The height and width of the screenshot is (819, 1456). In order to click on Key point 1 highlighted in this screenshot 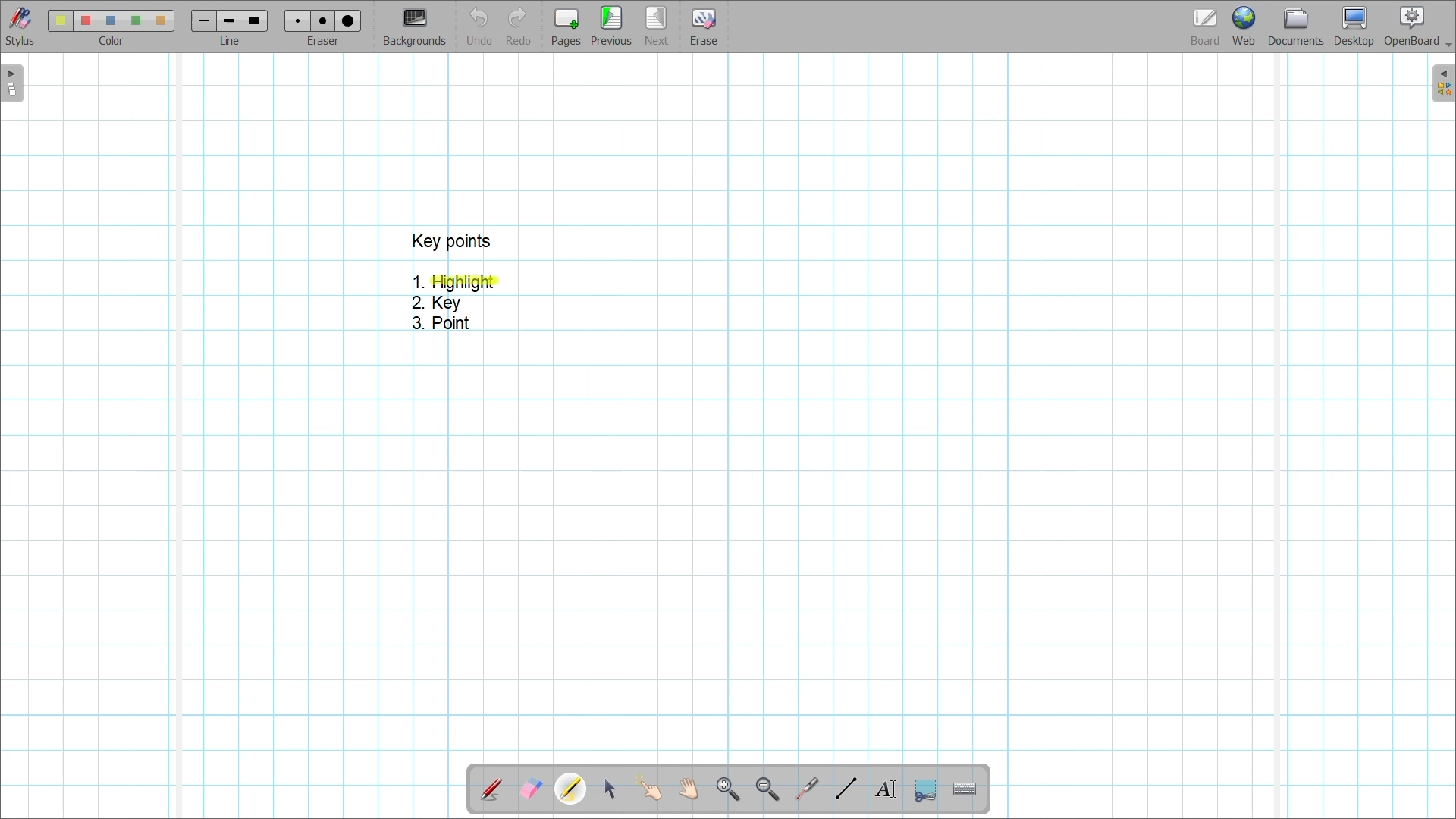, I will do `click(457, 283)`.